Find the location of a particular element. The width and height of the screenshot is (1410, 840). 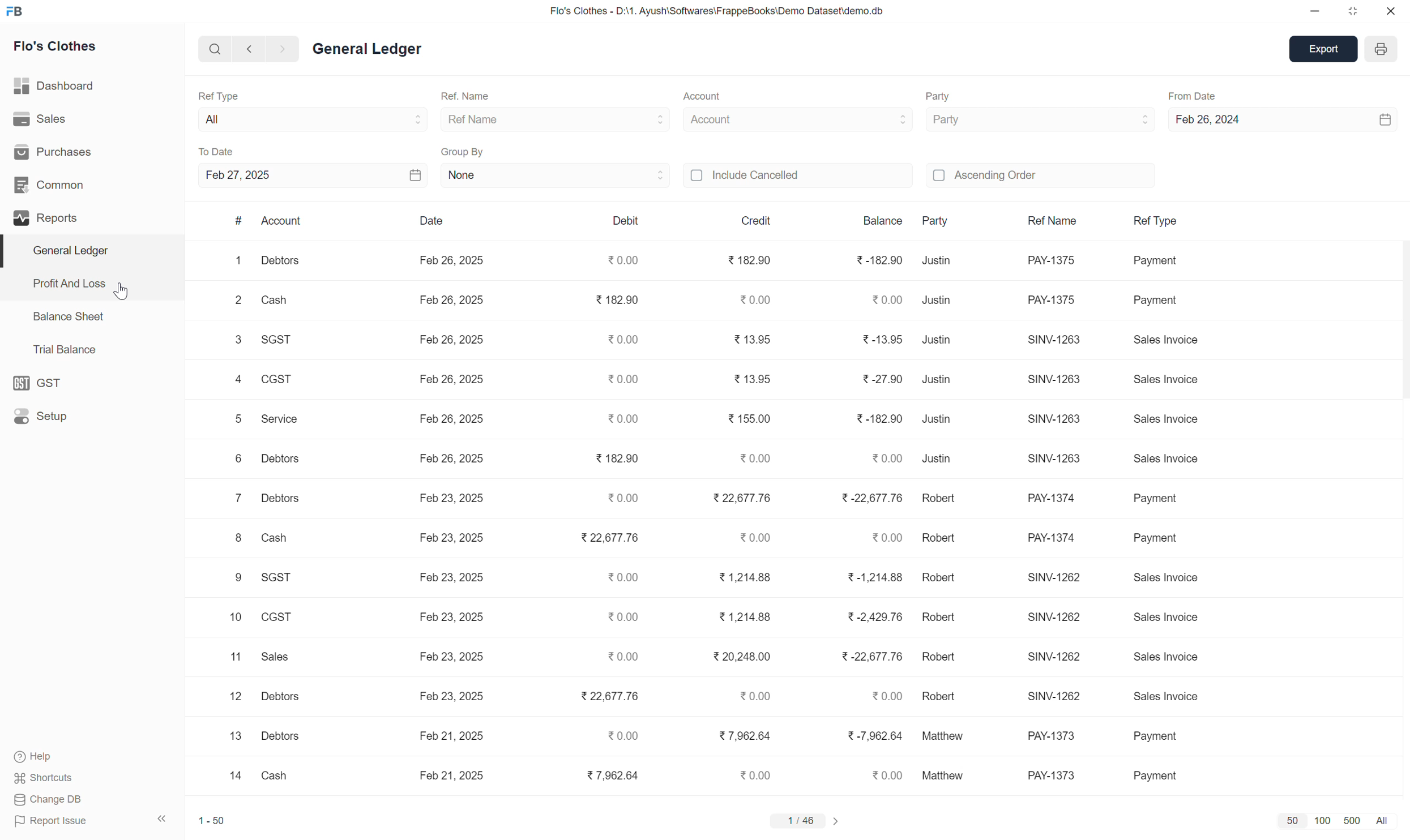

FB is located at coordinates (14, 11).